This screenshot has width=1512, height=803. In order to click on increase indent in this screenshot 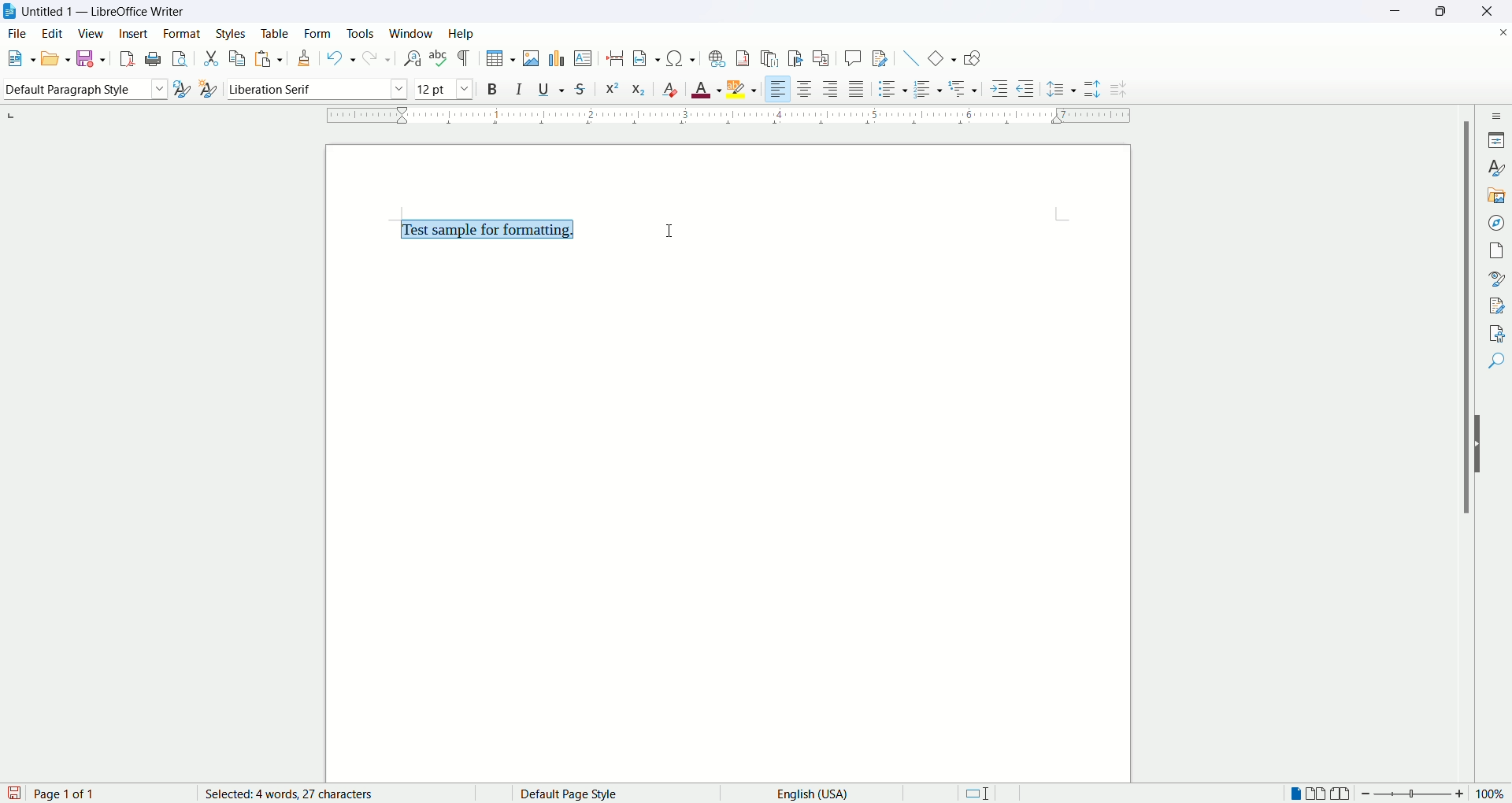, I will do `click(998, 87)`.